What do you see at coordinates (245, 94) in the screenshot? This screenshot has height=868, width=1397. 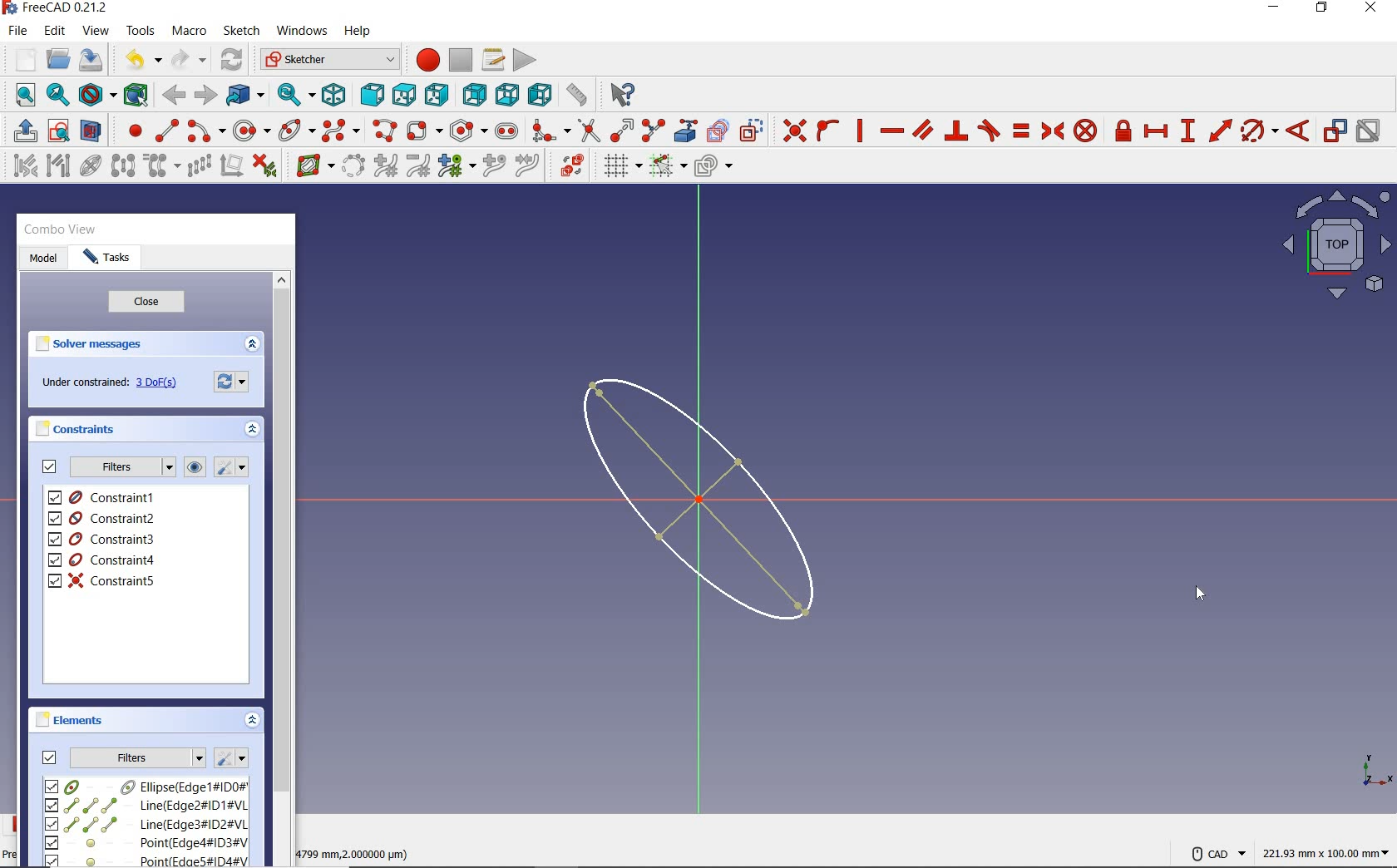 I see `go to linked object` at bounding box center [245, 94].